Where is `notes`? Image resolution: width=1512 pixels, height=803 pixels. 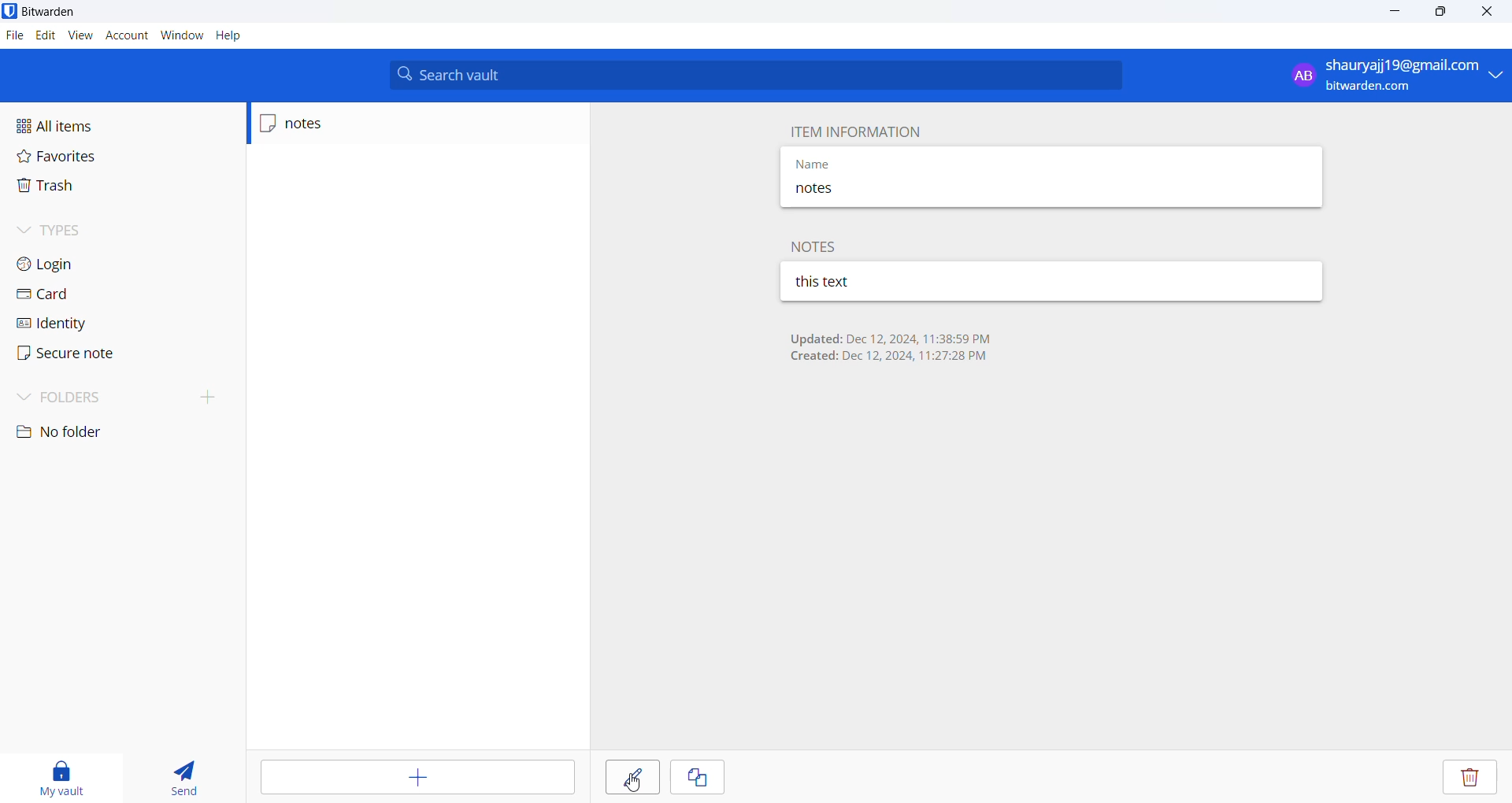 notes is located at coordinates (873, 191).